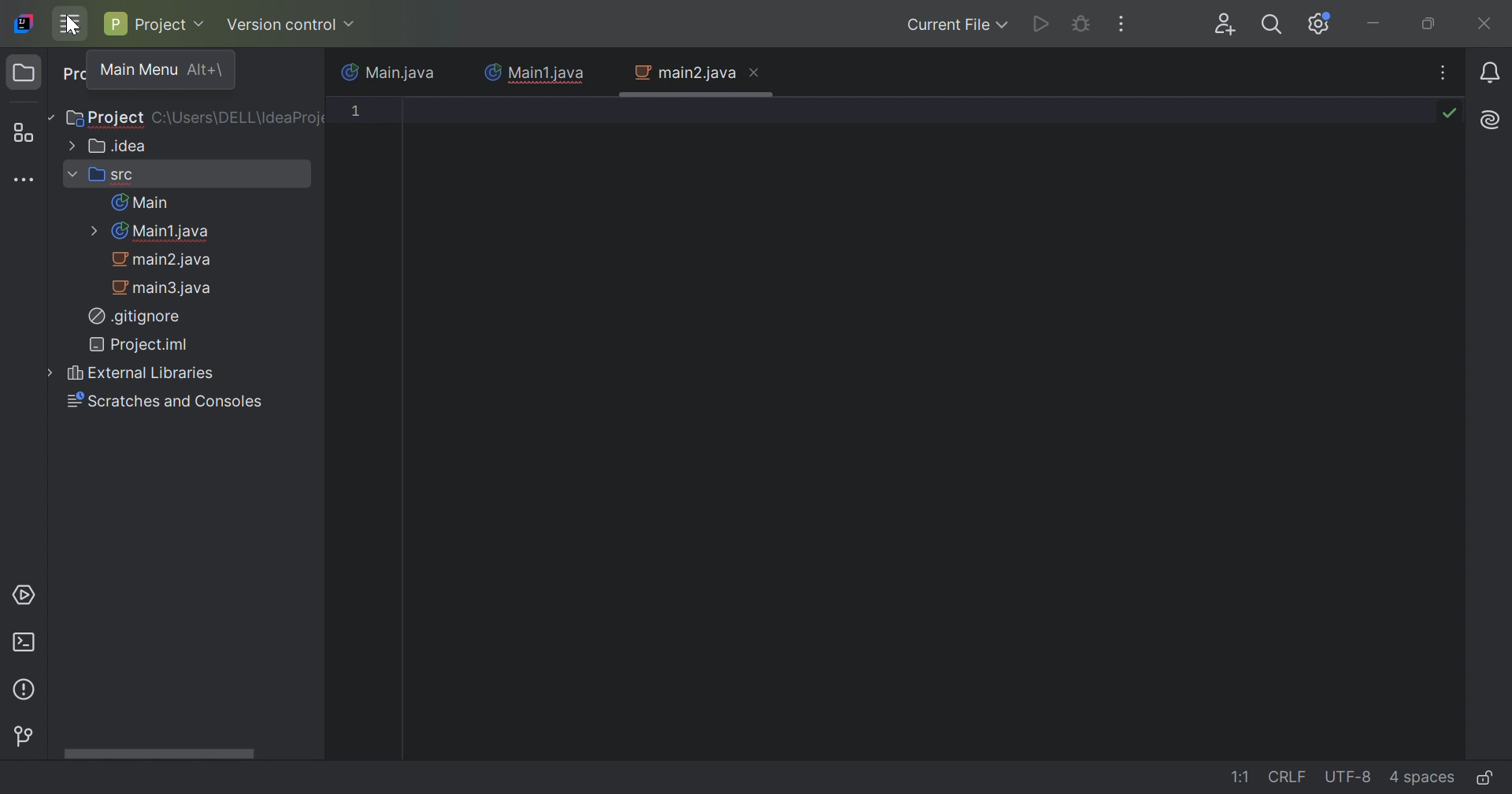 This screenshot has height=794, width=1512. Describe the element at coordinates (1040, 25) in the screenshot. I see `Run` at that location.